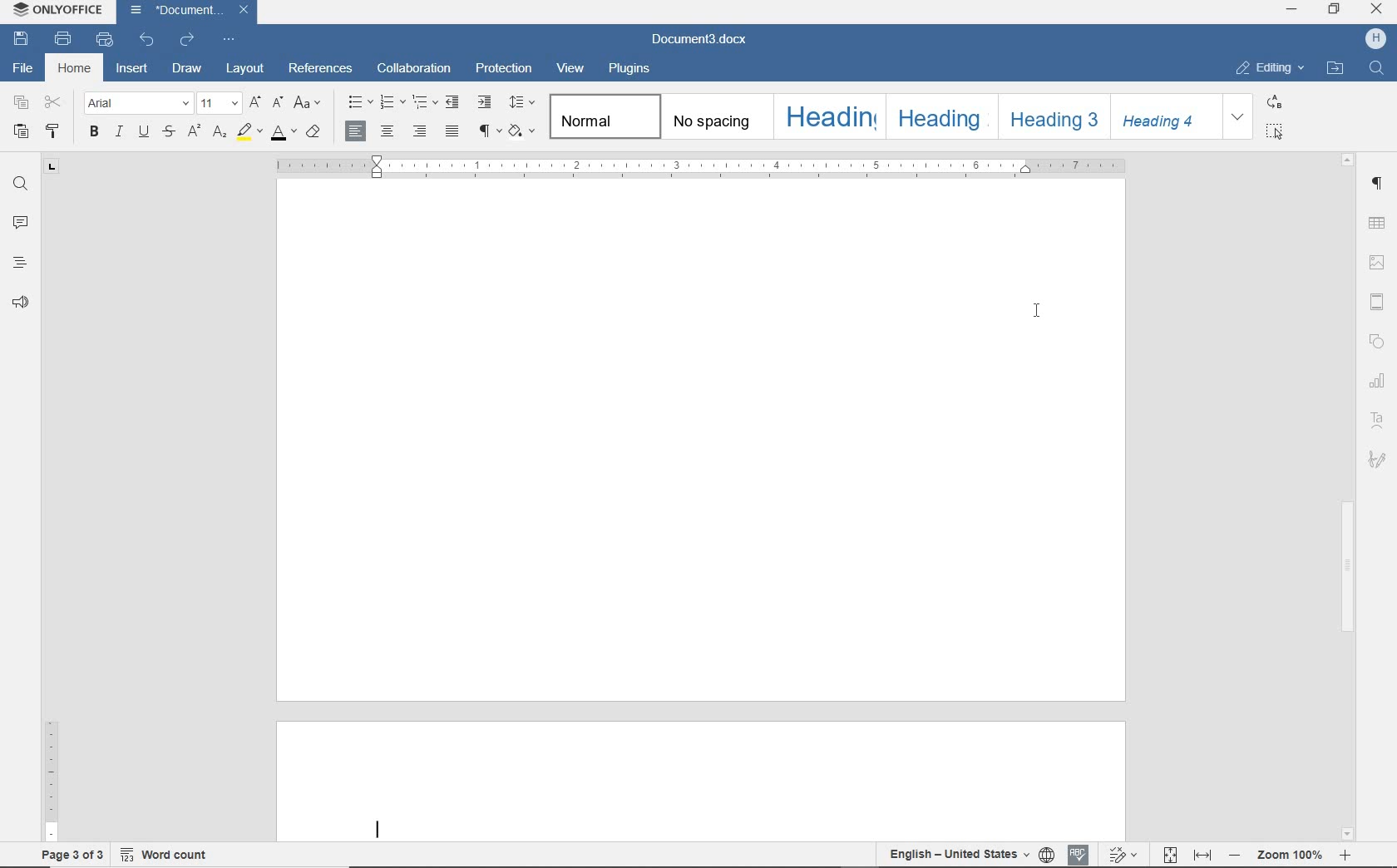  I want to click on SUPERSCRIPT, so click(194, 131).